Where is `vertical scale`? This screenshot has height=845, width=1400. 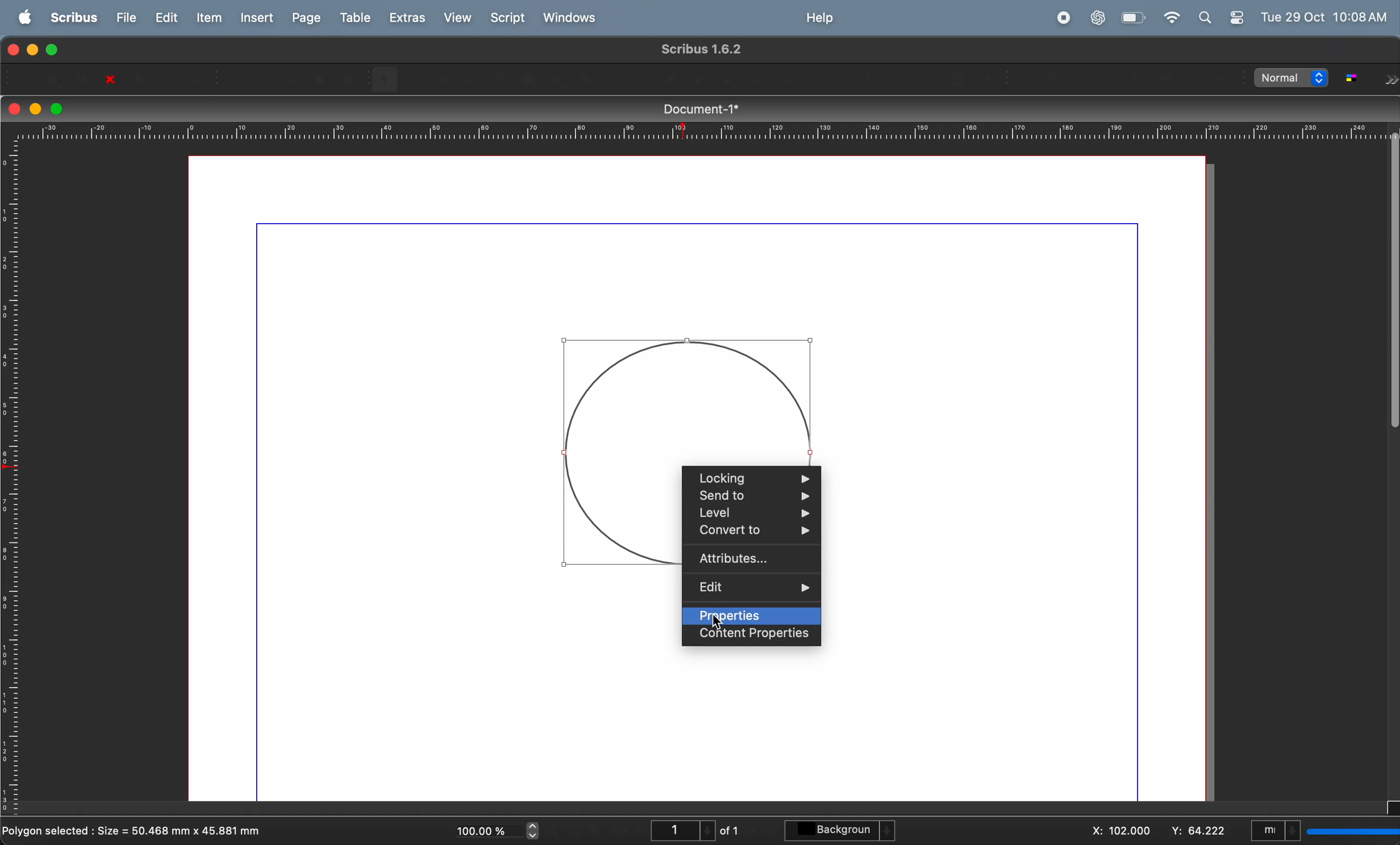 vertical scale is located at coordinates (14, 480).